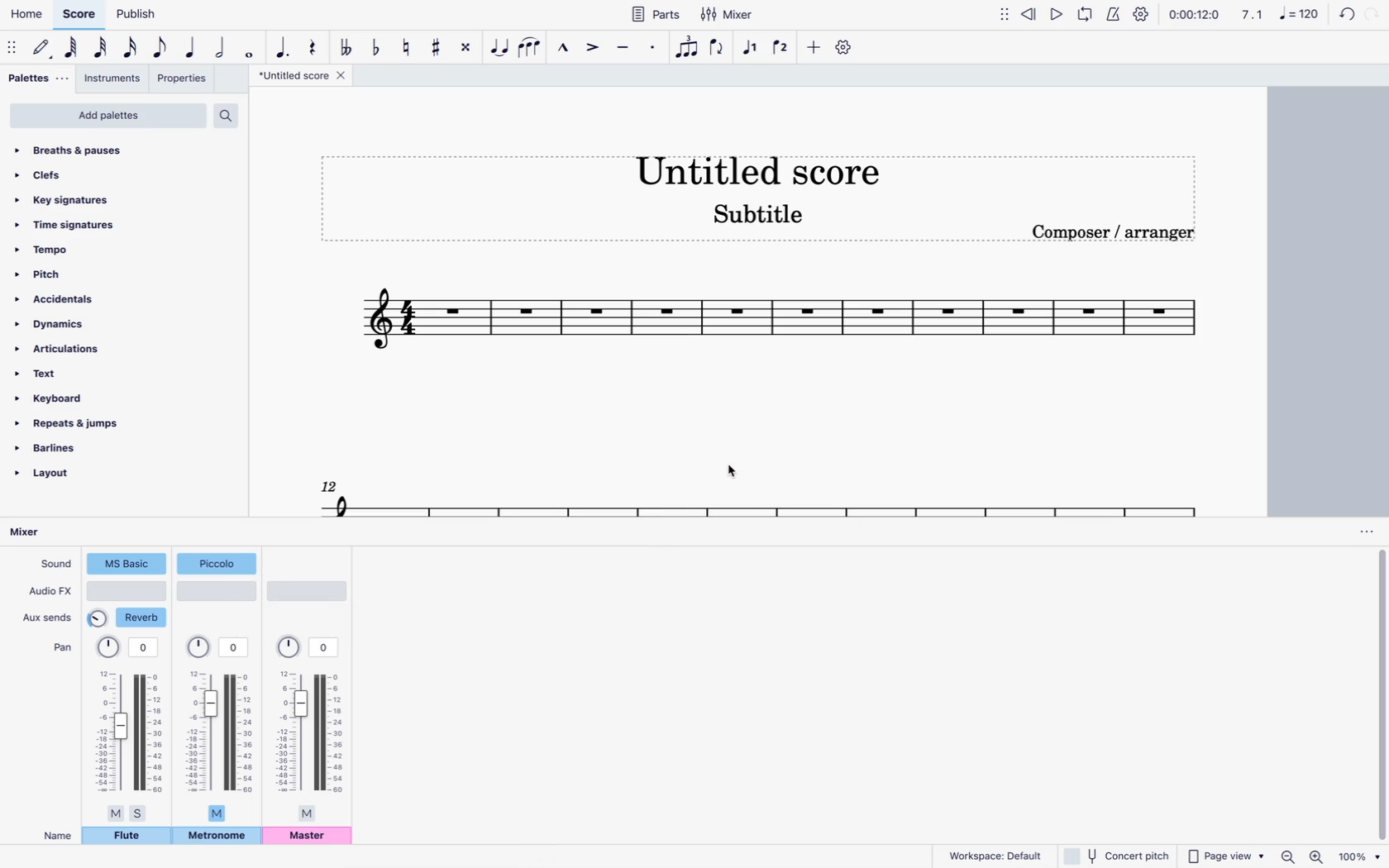 The image size is (1389, 868). Describe the element at coordinates (1360, 532) in the screenshot. I see `options` at that location.